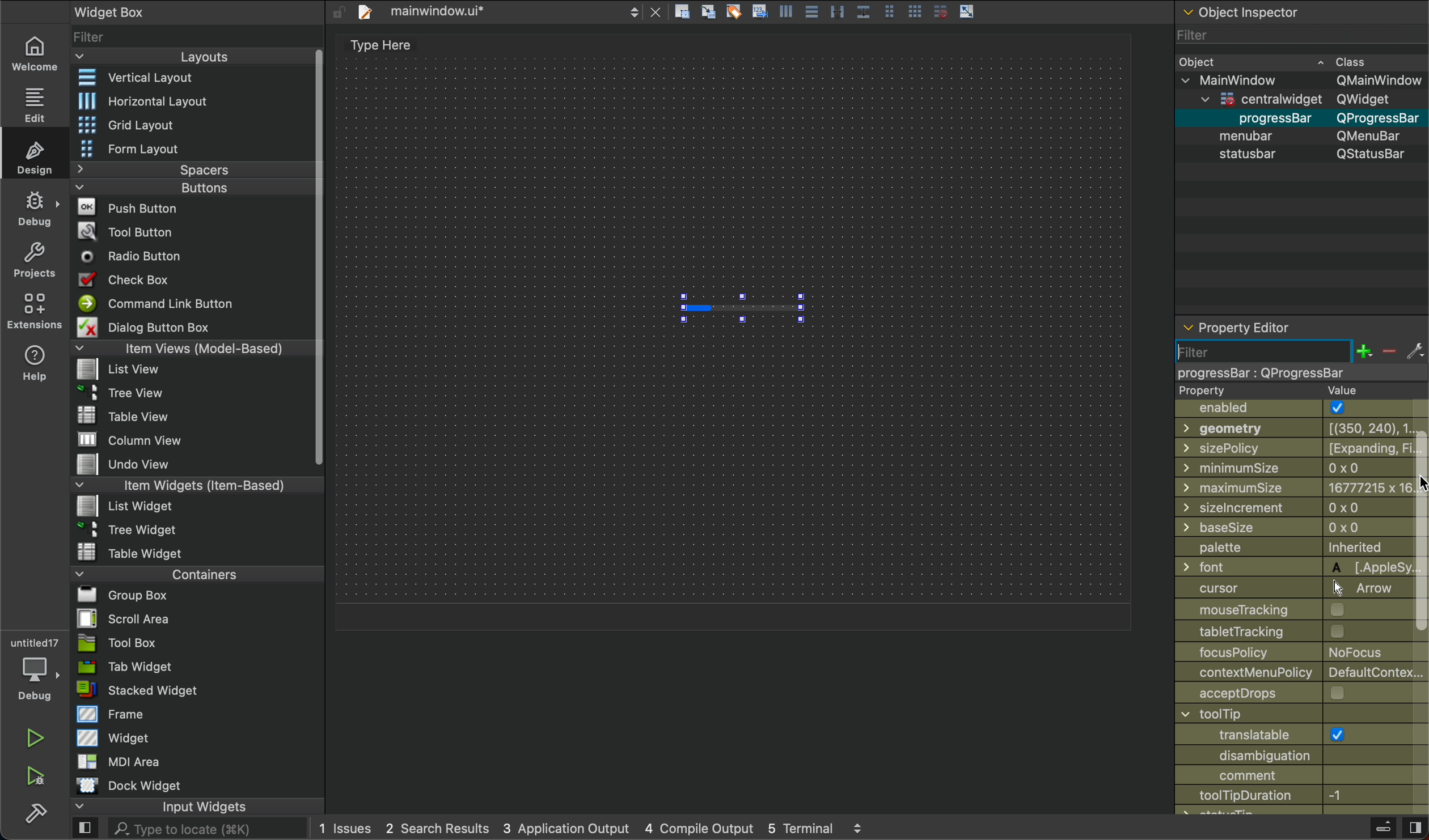  I want to click on , so click(307, 1902).